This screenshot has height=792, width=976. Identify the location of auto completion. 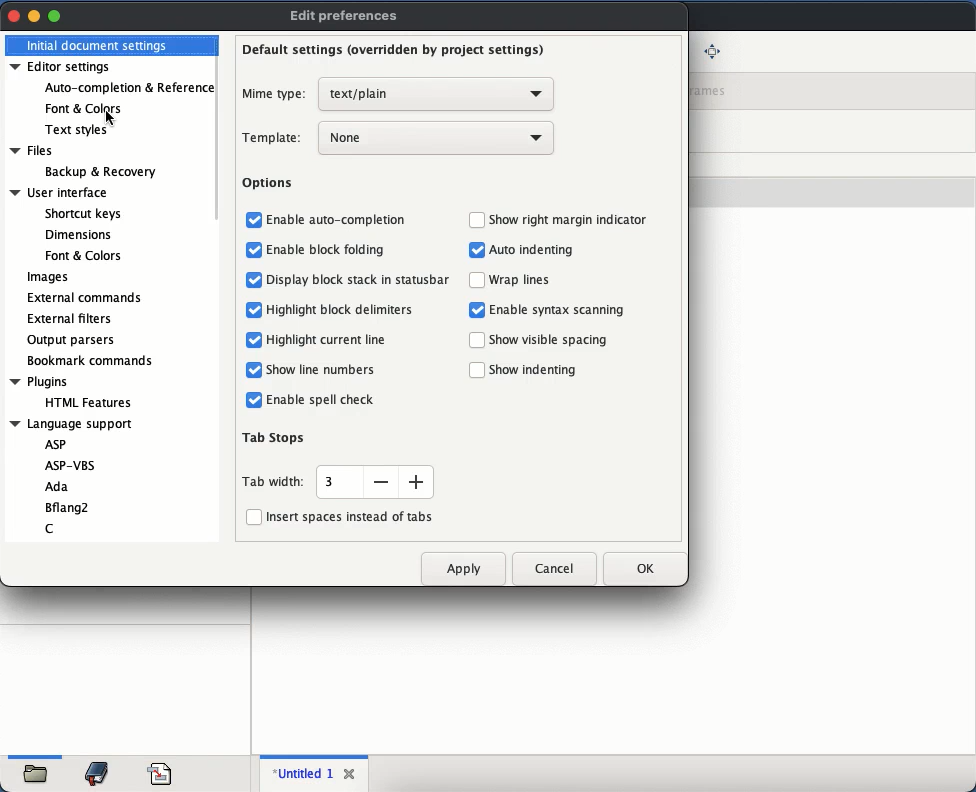
(127, 88).